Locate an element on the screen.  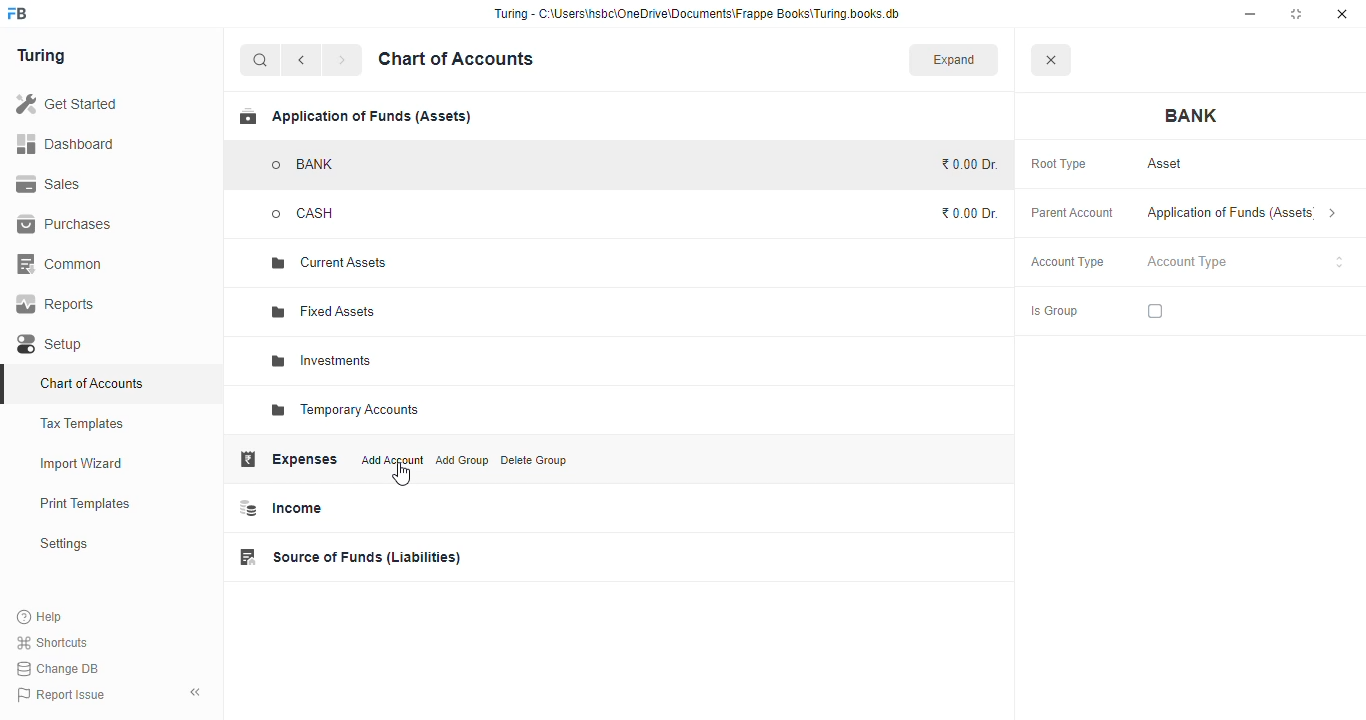
delete group is located at coordinates (533, 460).